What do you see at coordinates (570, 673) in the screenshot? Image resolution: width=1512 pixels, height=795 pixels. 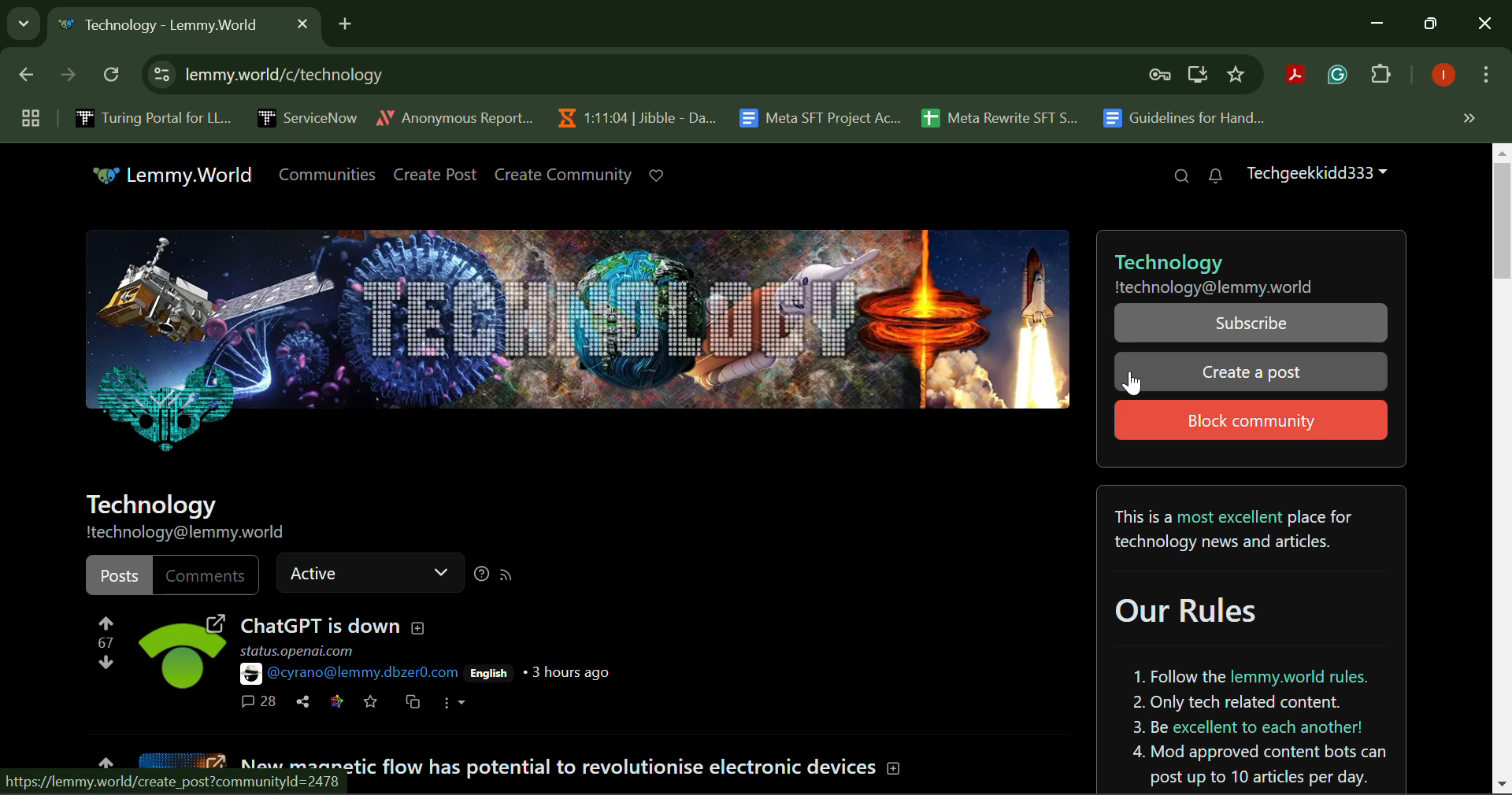 I see `3 hours ago` at bounding box center [570, 673].